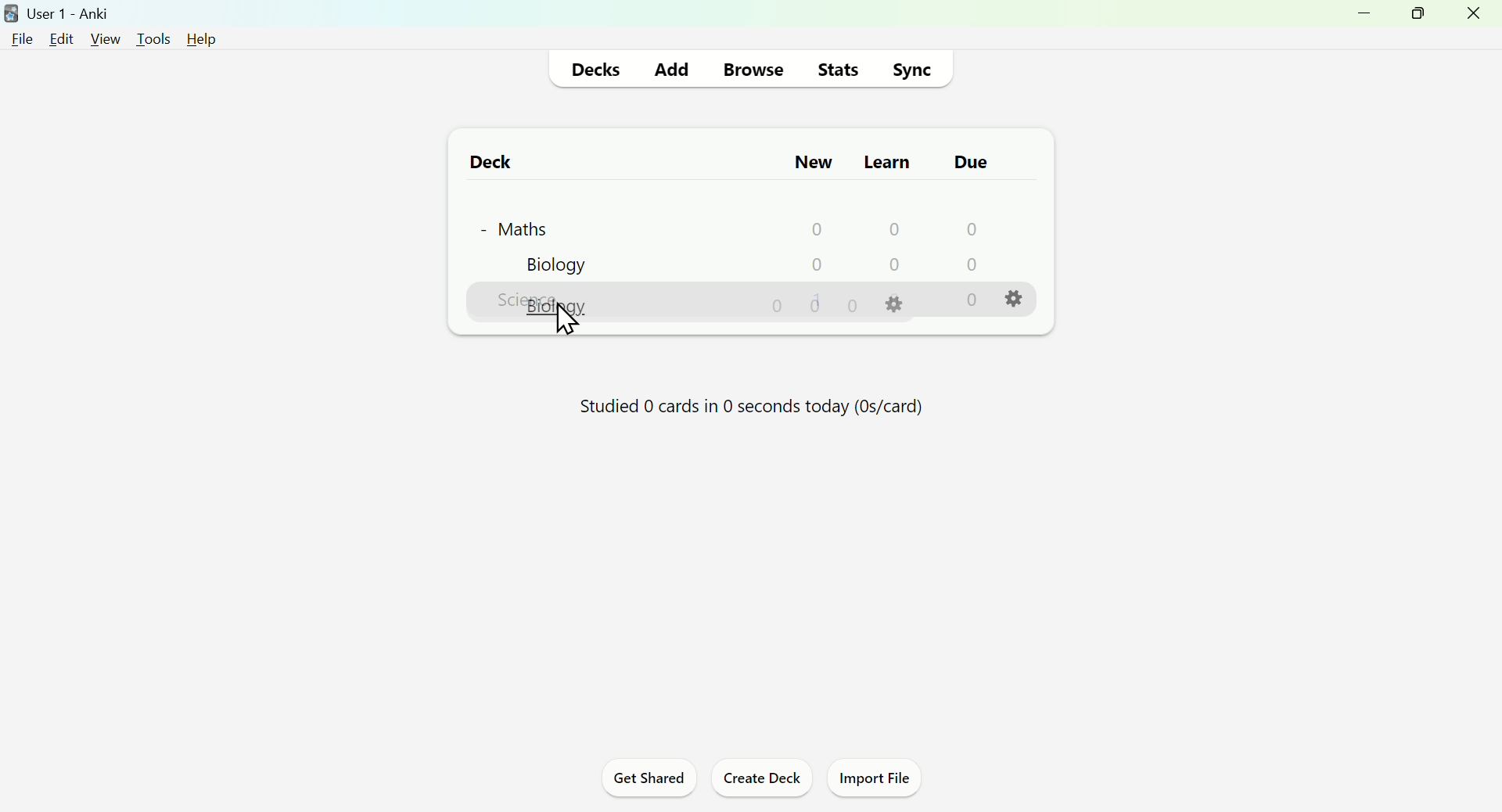 The width and height of the screenshot is (1502, 812). What do you see at coordinates (780, 307) in the screenshot?
I see `0` at bounding box center [780, 307].